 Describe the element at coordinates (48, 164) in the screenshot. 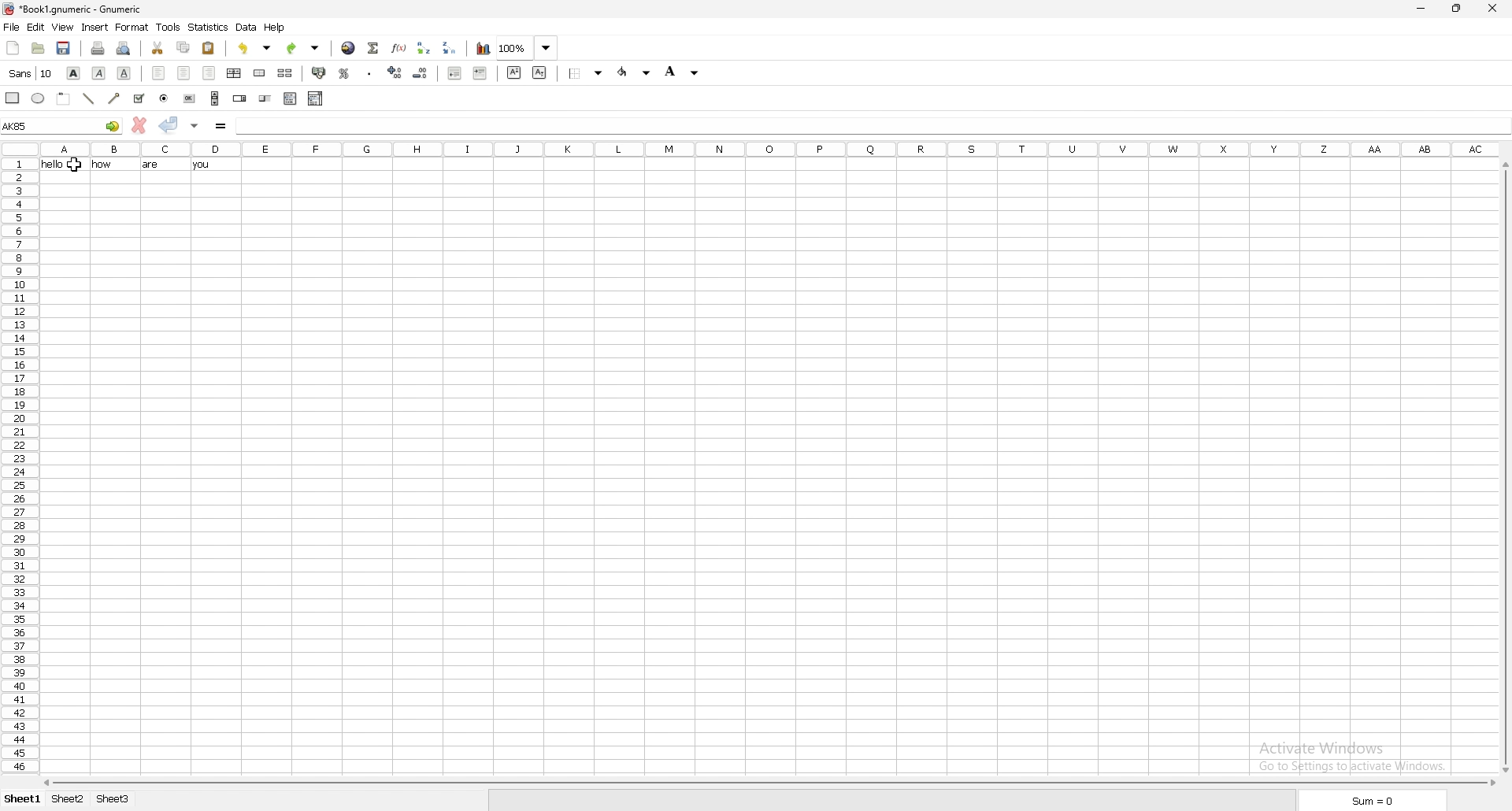

I see `hello` at that location.